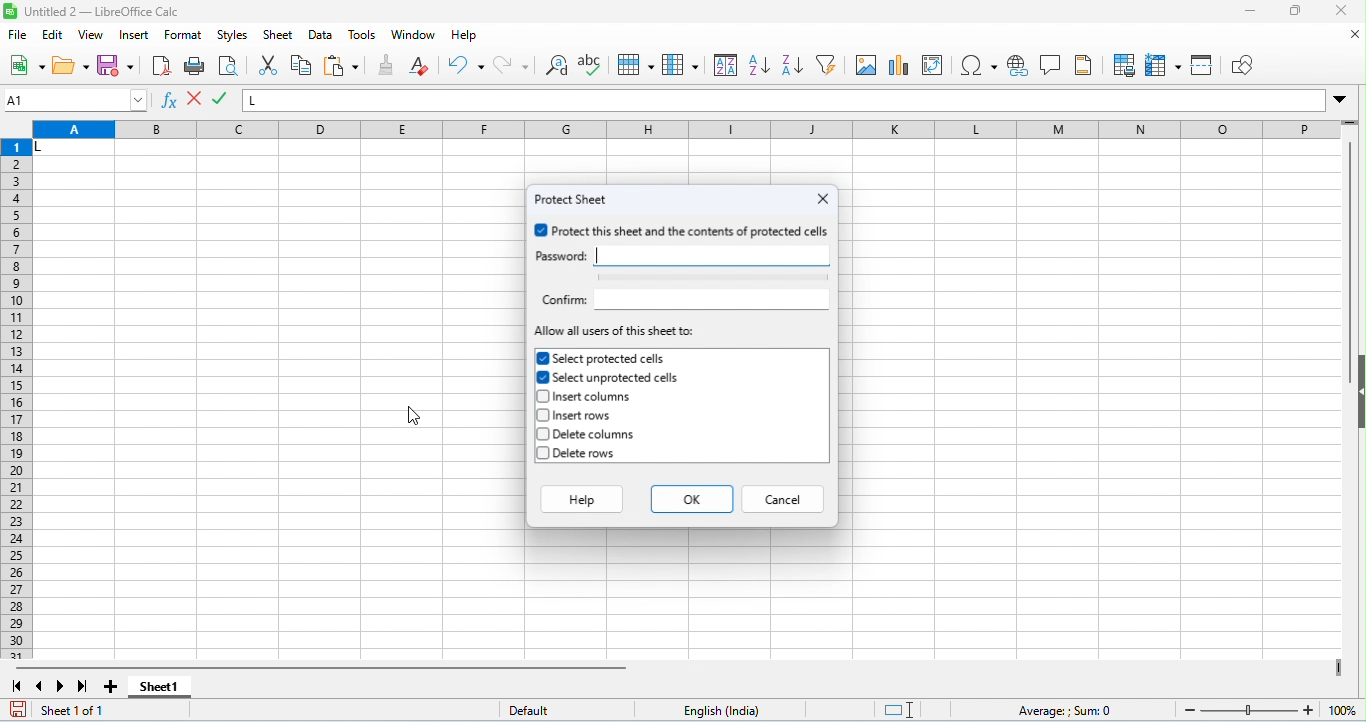 This screenshot has width=1366, height=722. I want to click on open, so click(71, 66).